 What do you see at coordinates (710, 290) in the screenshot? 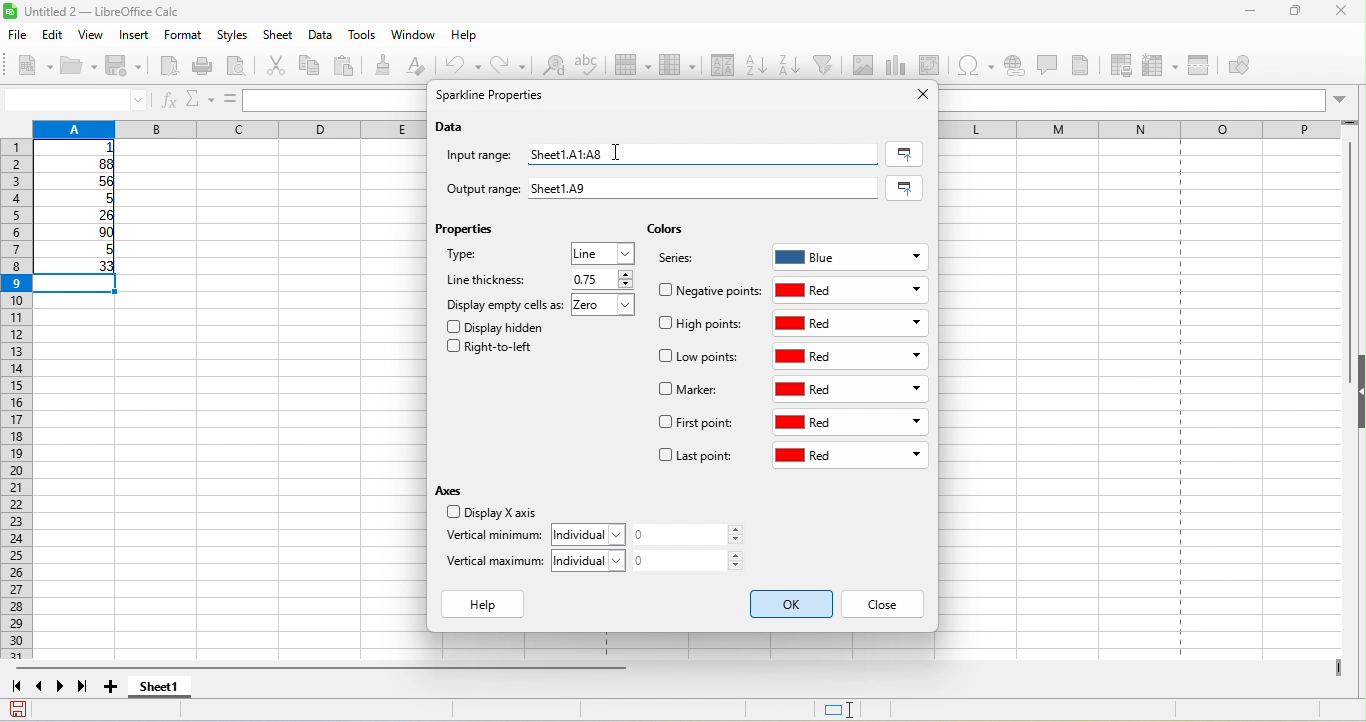
I see `negative points` at bounding box center [710, 290].